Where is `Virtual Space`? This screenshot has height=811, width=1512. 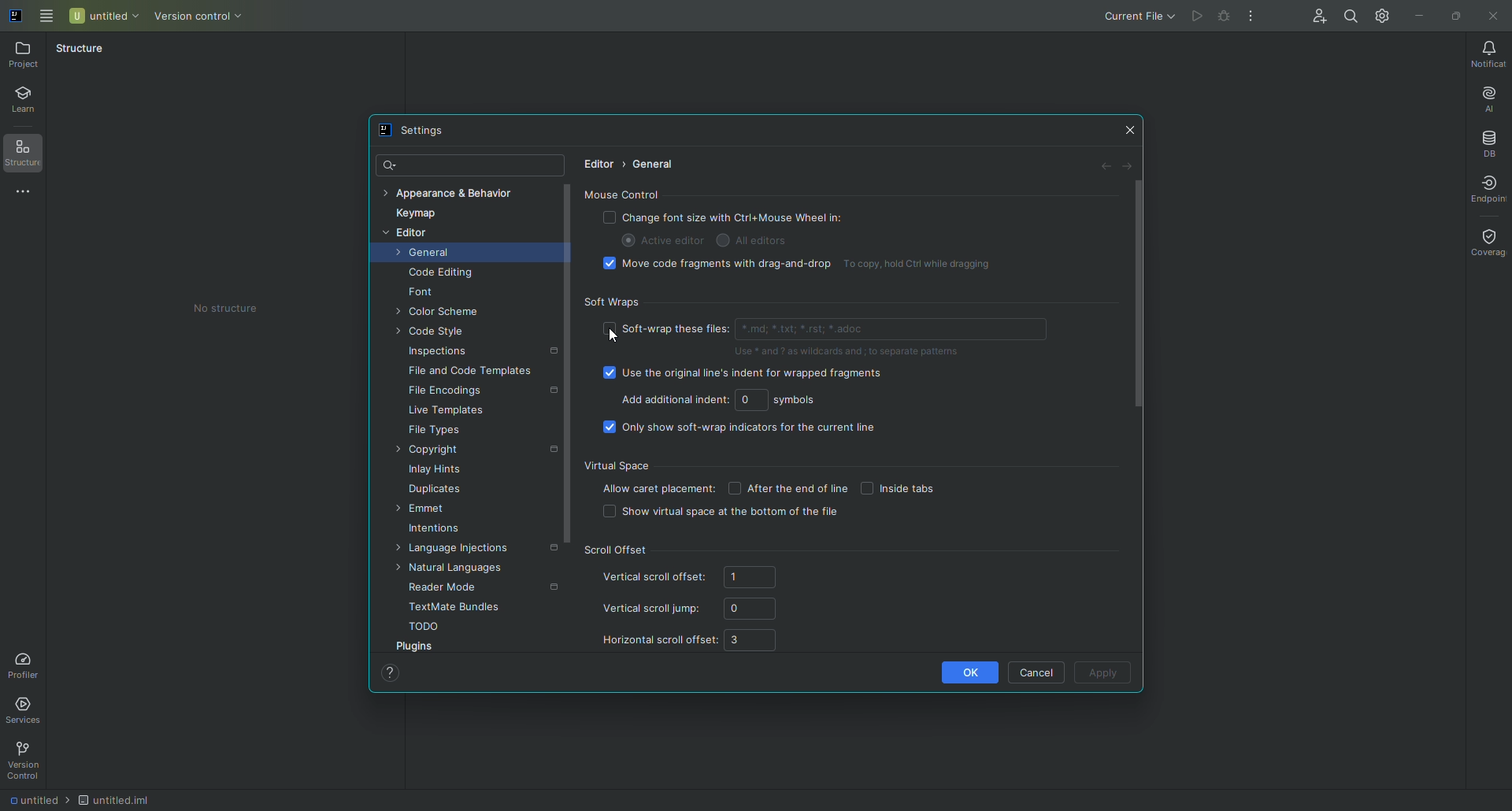
Virtual Space is located at coordinates (803, 490).